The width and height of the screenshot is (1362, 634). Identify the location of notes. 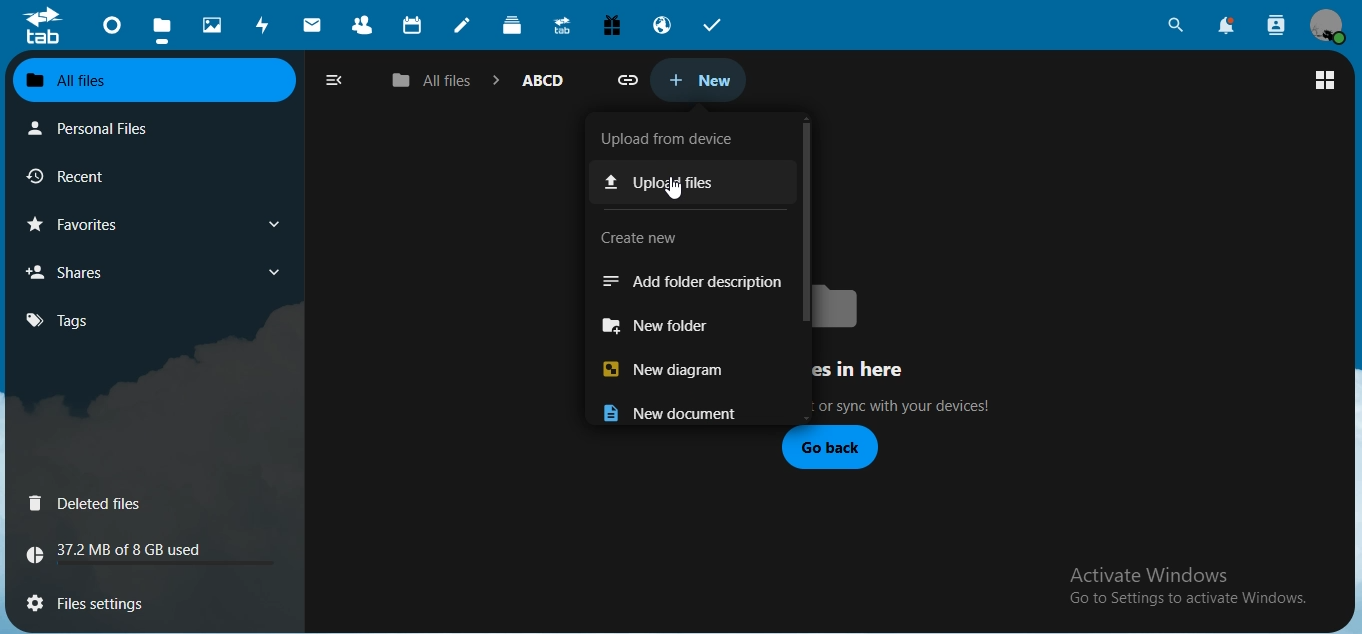
(463, 25).